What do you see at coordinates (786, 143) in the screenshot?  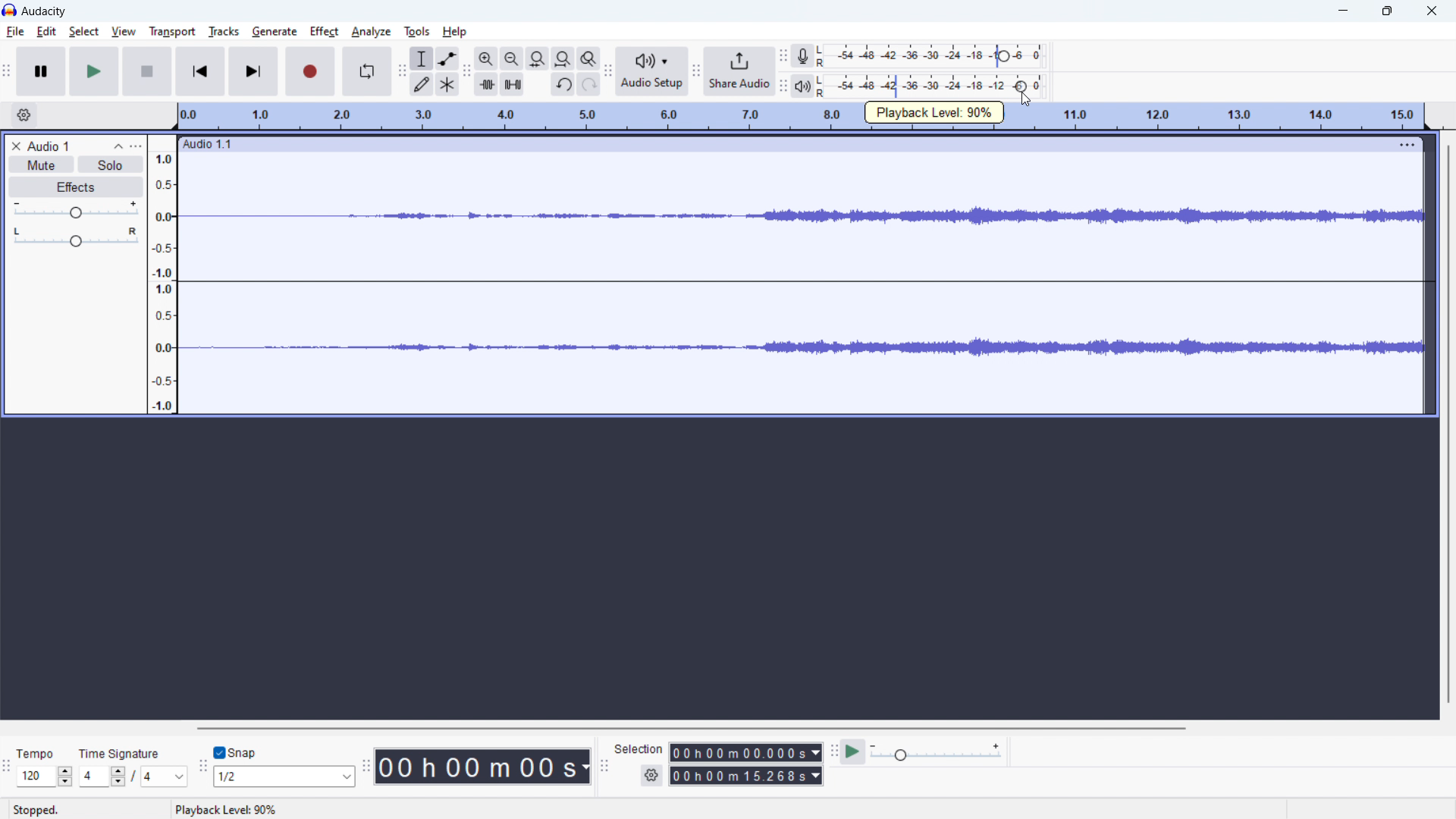 I see `hold to move` at bounding box center [786, 143].